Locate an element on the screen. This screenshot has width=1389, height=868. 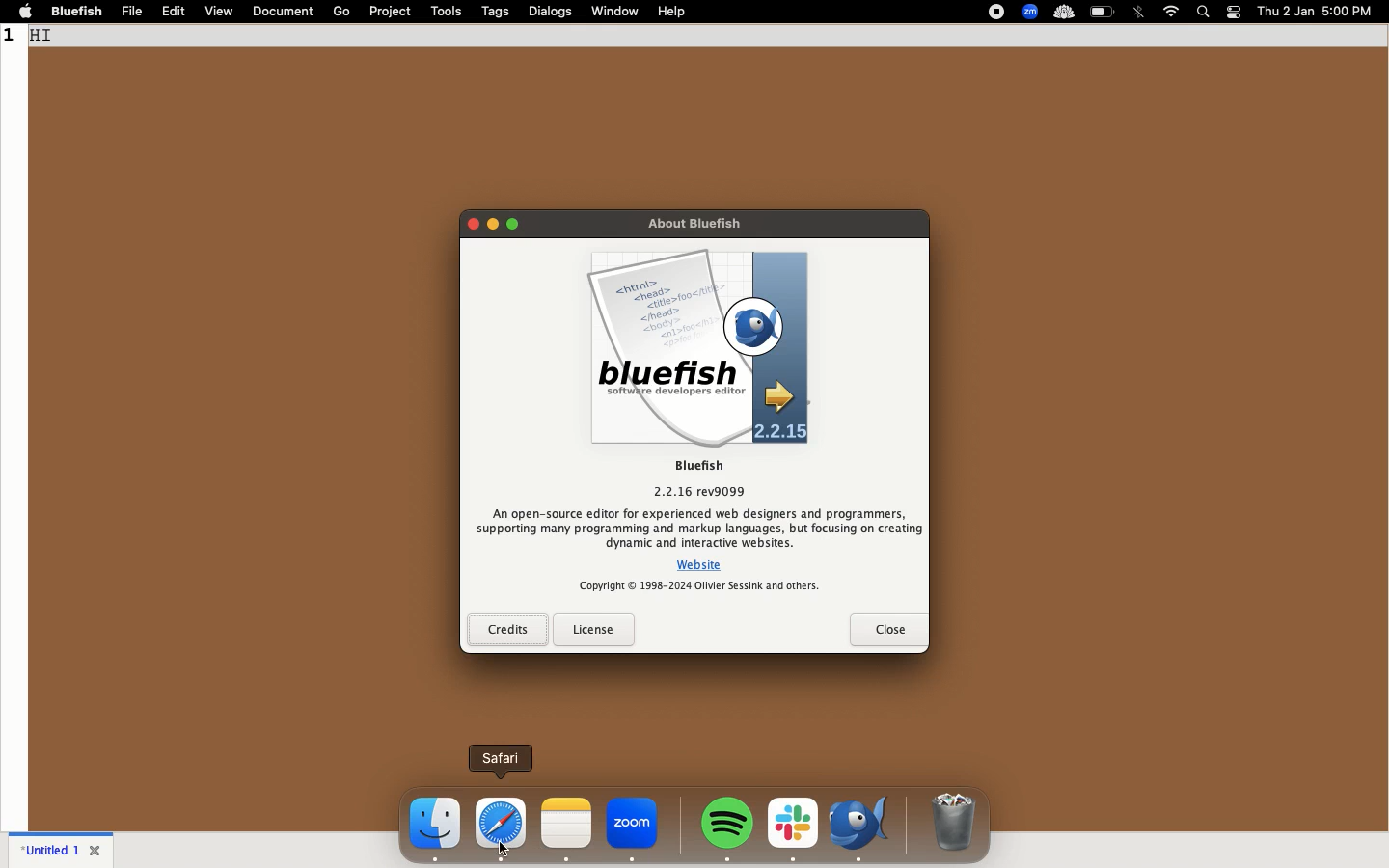
logo is located at coordinates (700, 347).